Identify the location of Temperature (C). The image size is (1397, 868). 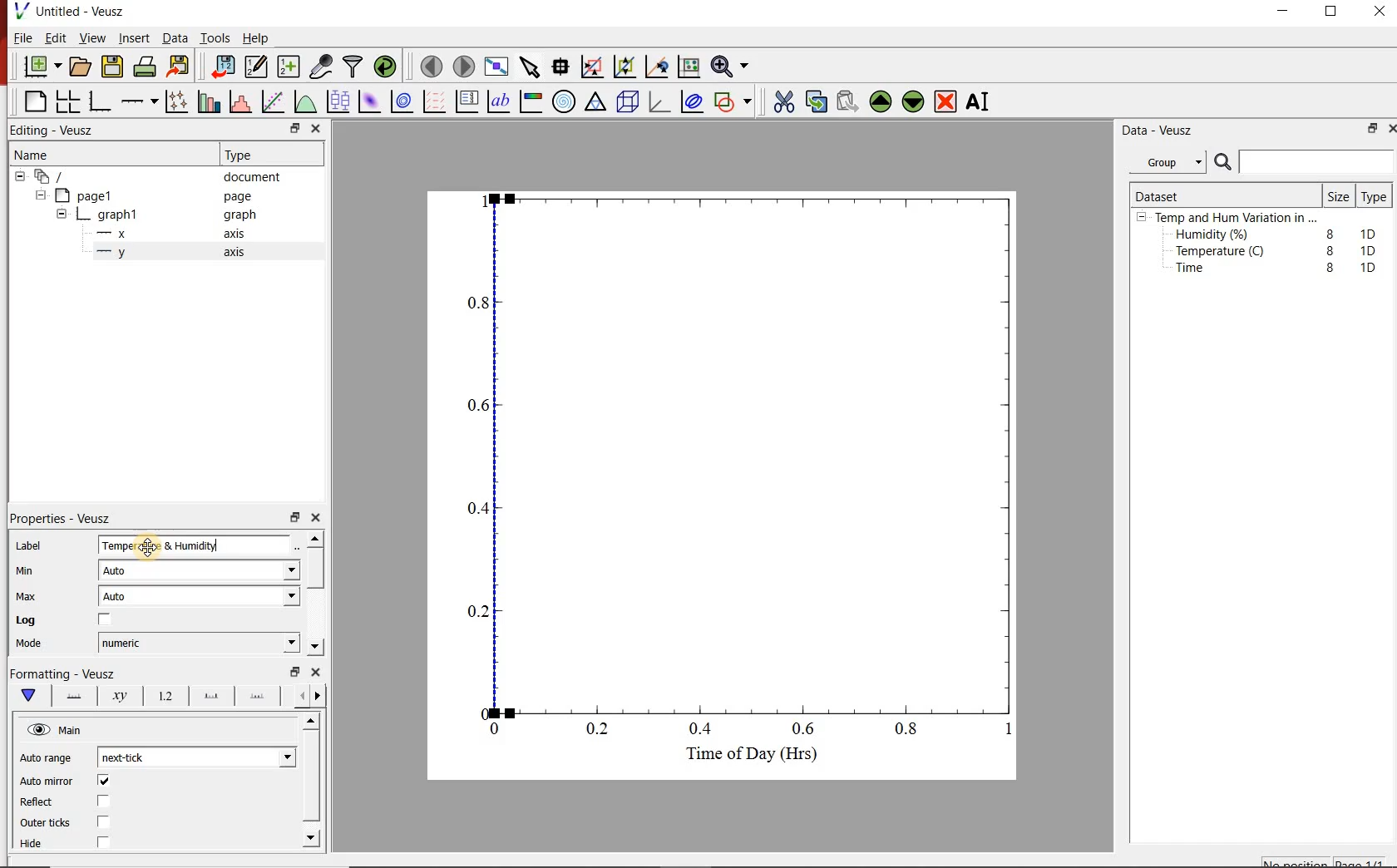
(1223, 253).